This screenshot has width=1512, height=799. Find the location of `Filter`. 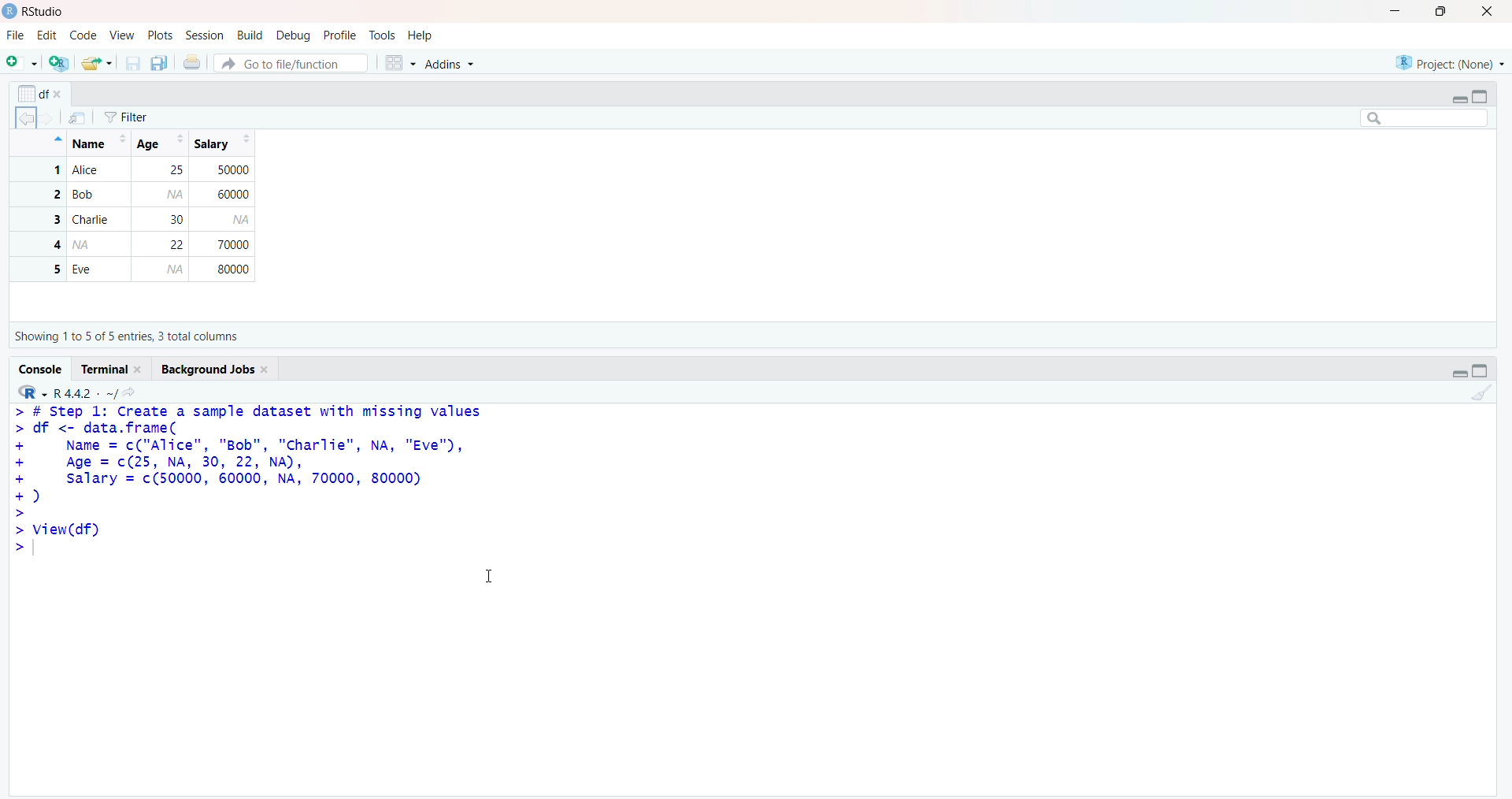

Filter is located at coordinates (142, 114).